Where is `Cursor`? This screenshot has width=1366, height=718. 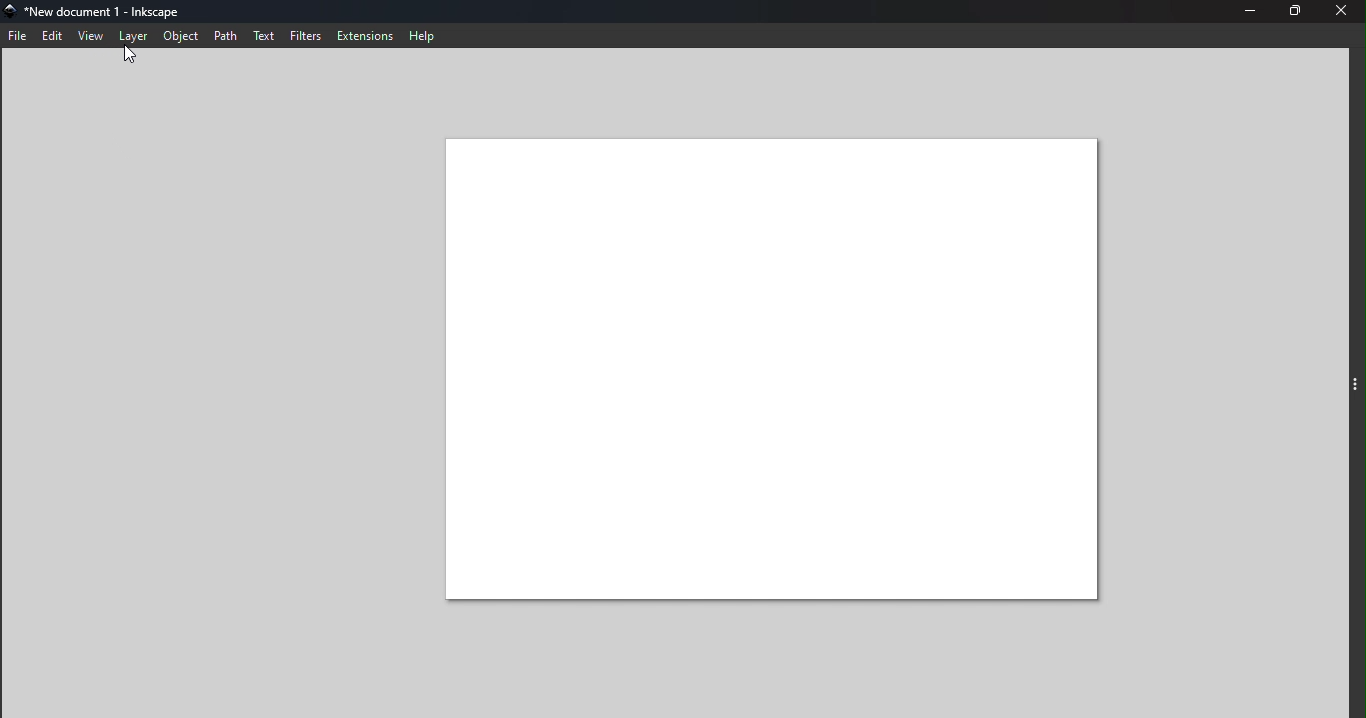
Cursor is located at coordinates (134, 58).